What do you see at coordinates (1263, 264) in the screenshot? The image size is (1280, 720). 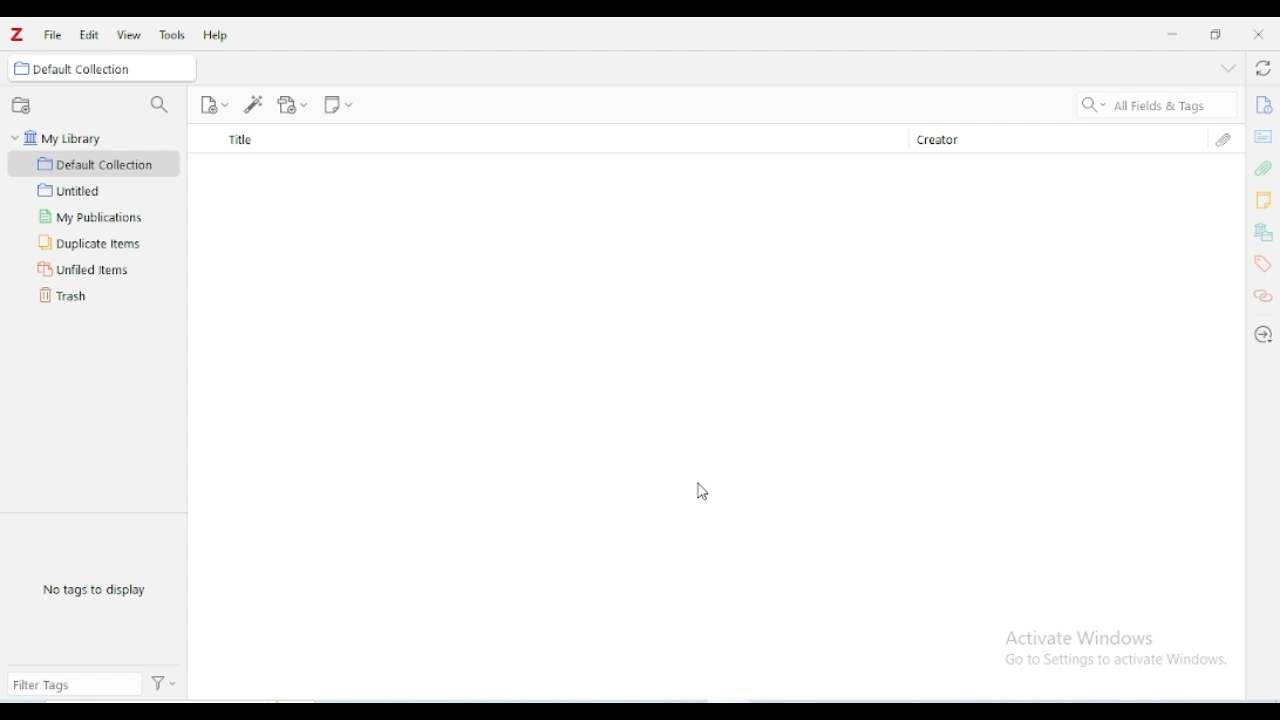 I see `tags` at bounding box center [1263, 264].